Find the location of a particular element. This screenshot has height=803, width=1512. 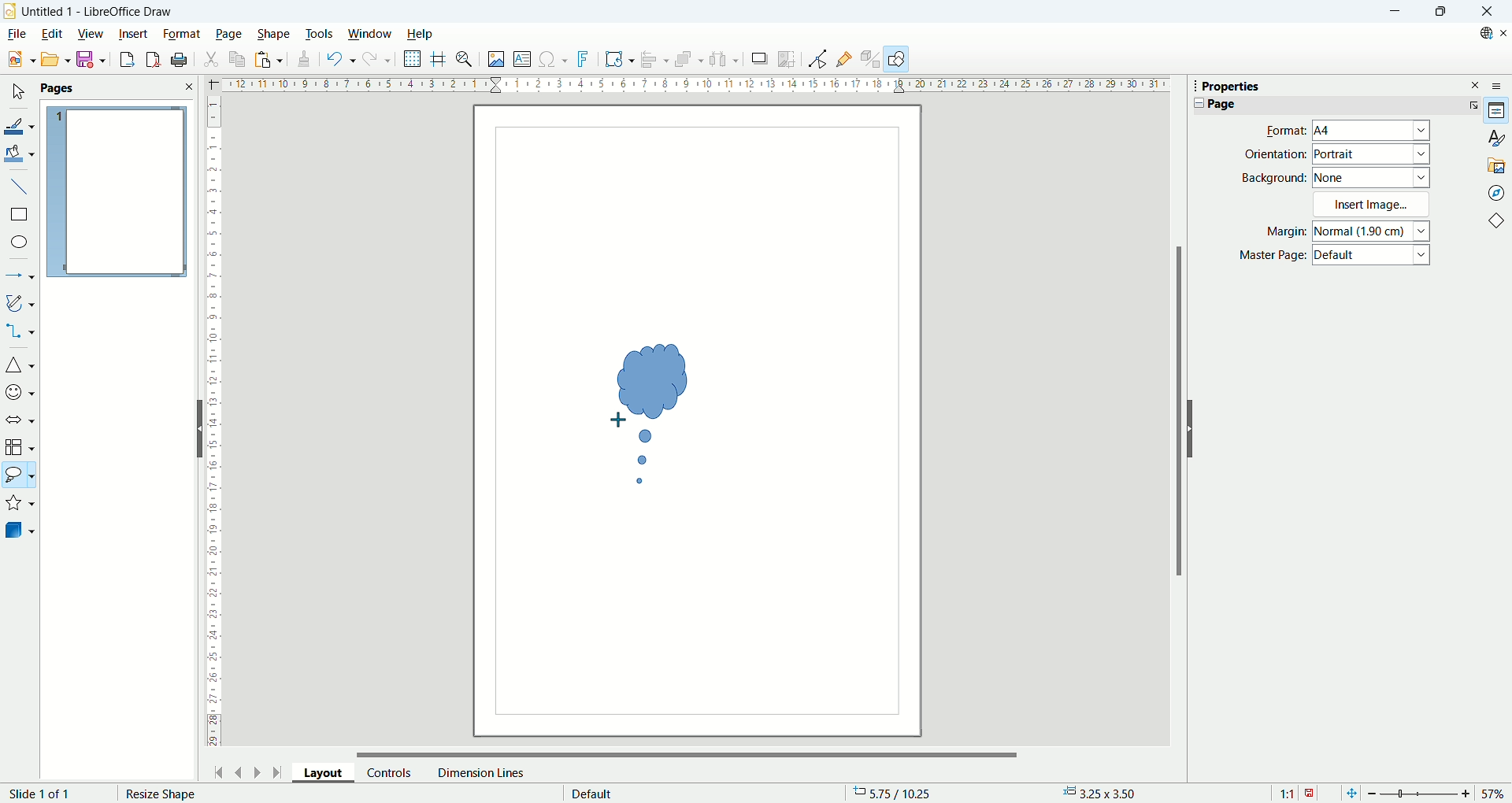

Close document is located at coordinates (1503, 33).